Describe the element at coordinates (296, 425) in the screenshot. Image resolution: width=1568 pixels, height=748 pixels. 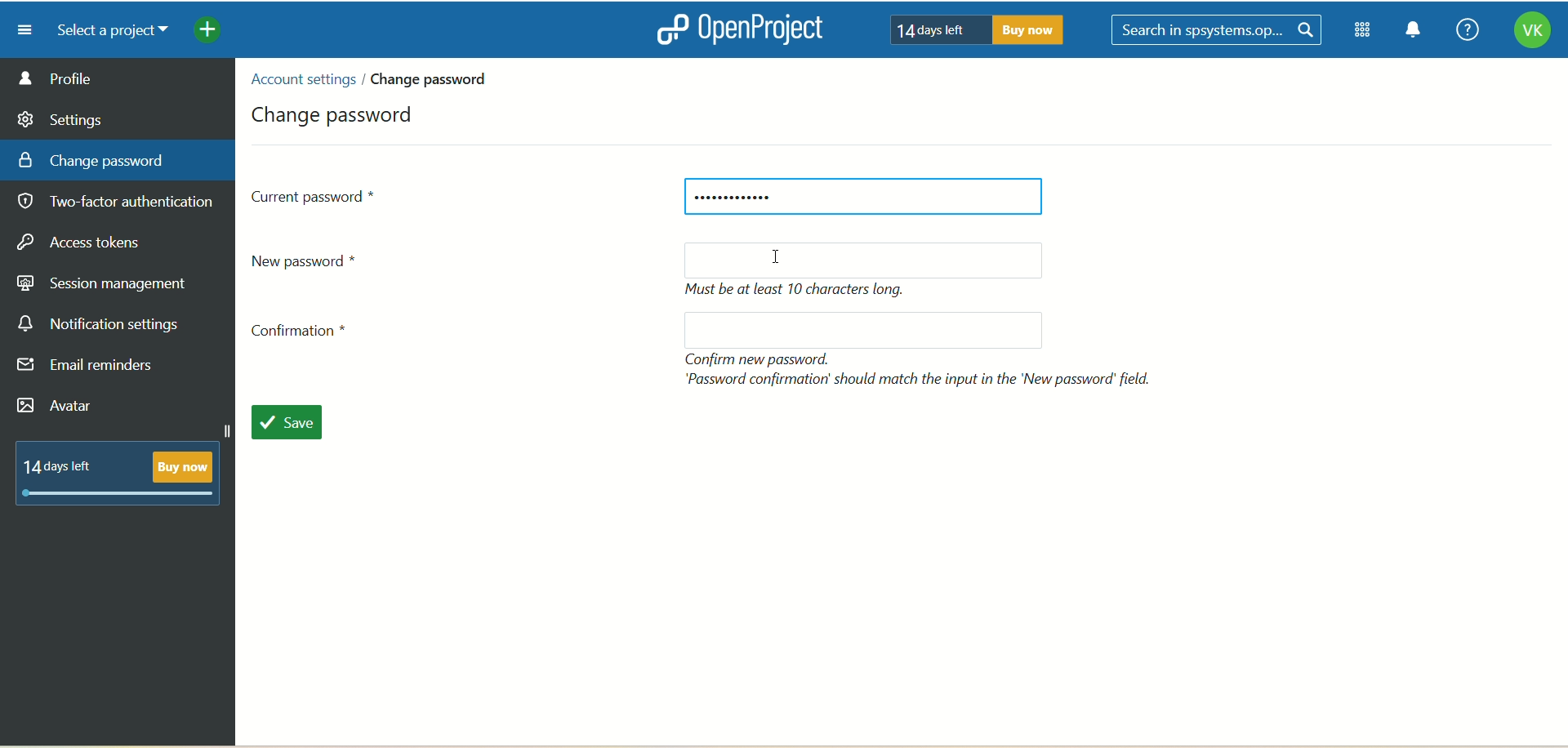
I see `save` at that location.